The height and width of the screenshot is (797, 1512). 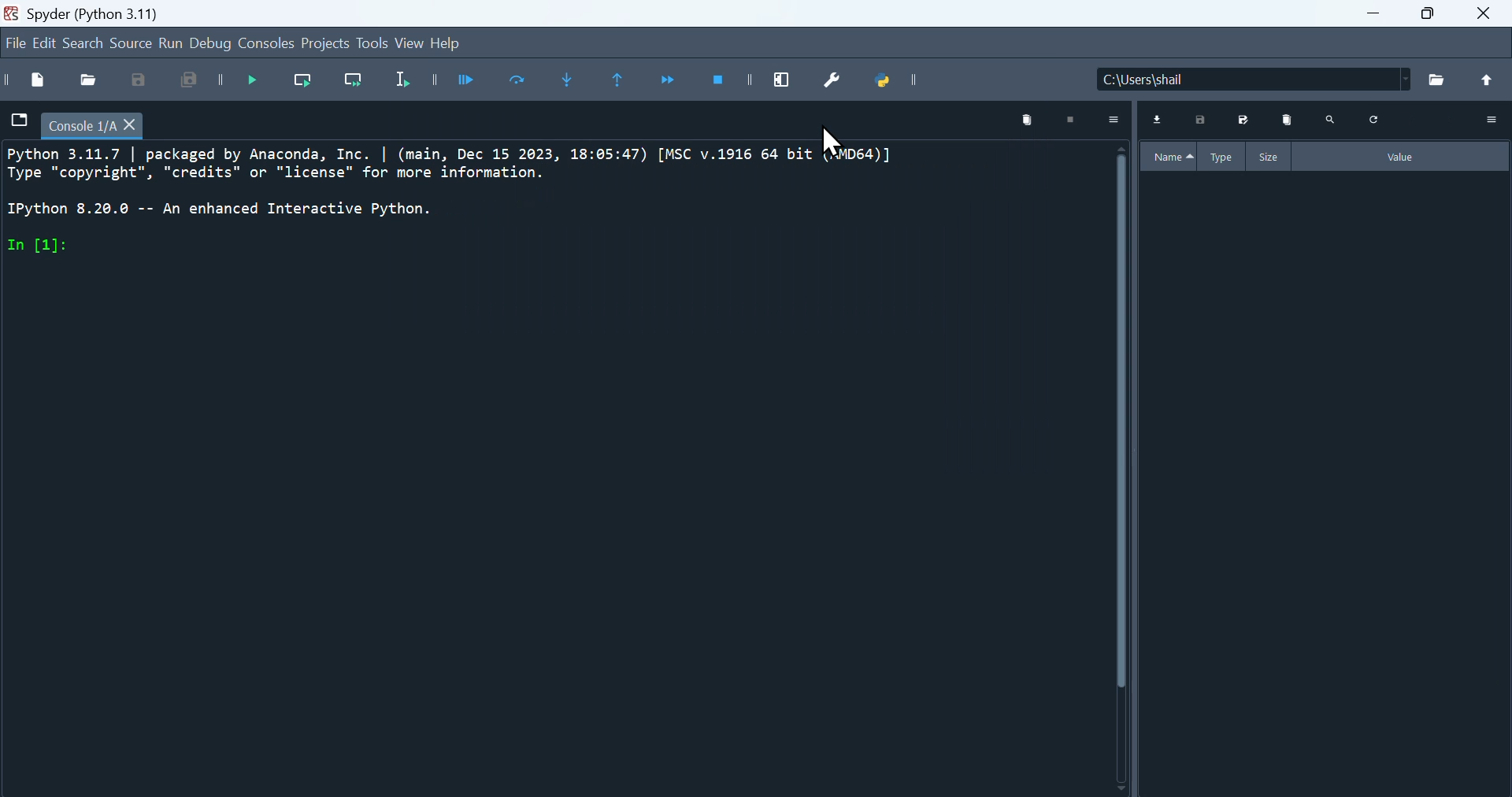 I want to click on Debug, so click(x=214, y=43).